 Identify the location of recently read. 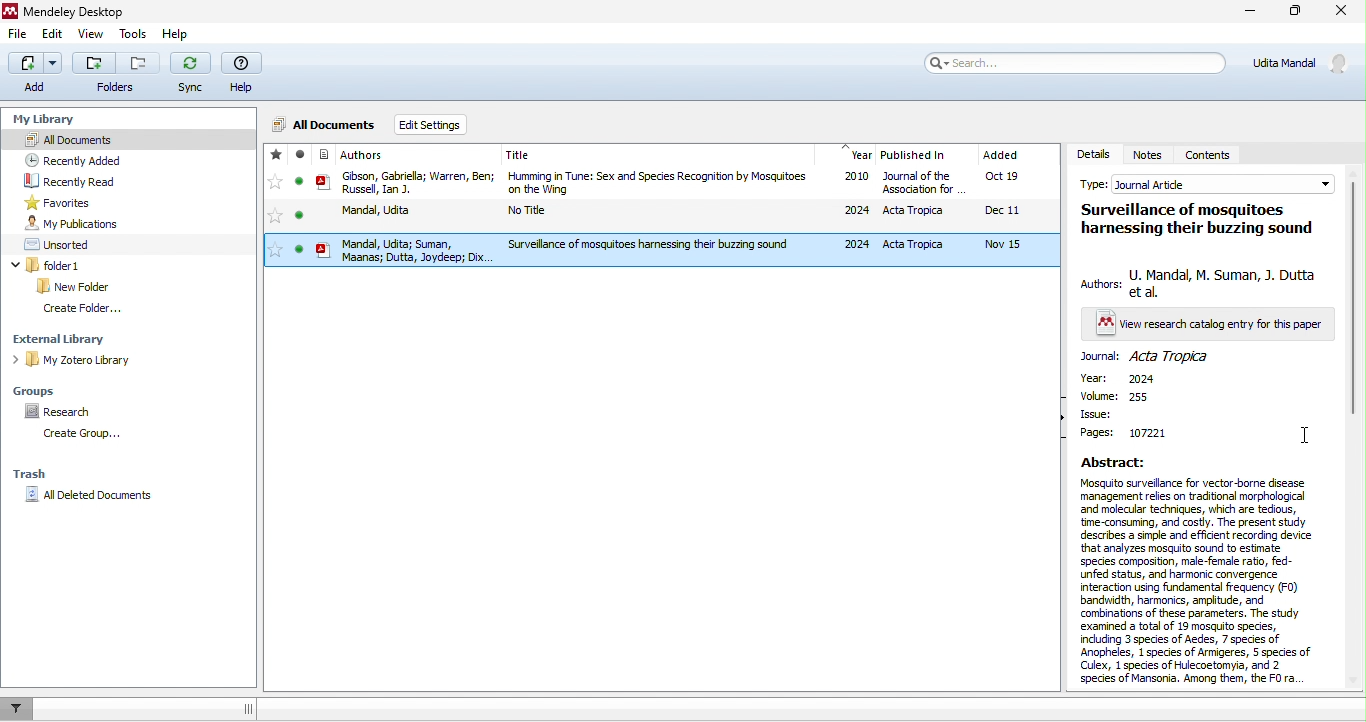
(72, 180).